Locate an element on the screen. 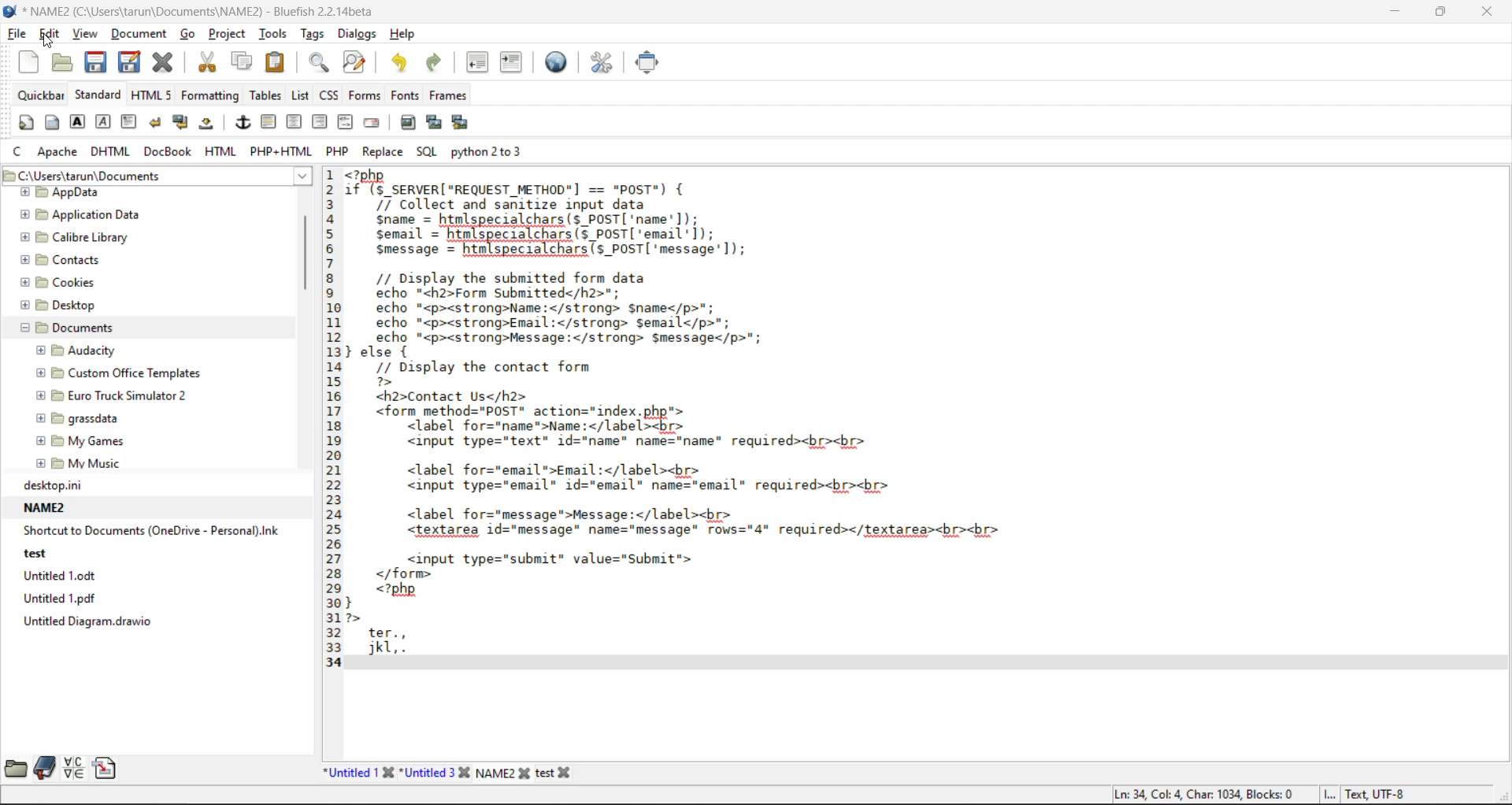  Audacity is located at coordinates (79, 348).